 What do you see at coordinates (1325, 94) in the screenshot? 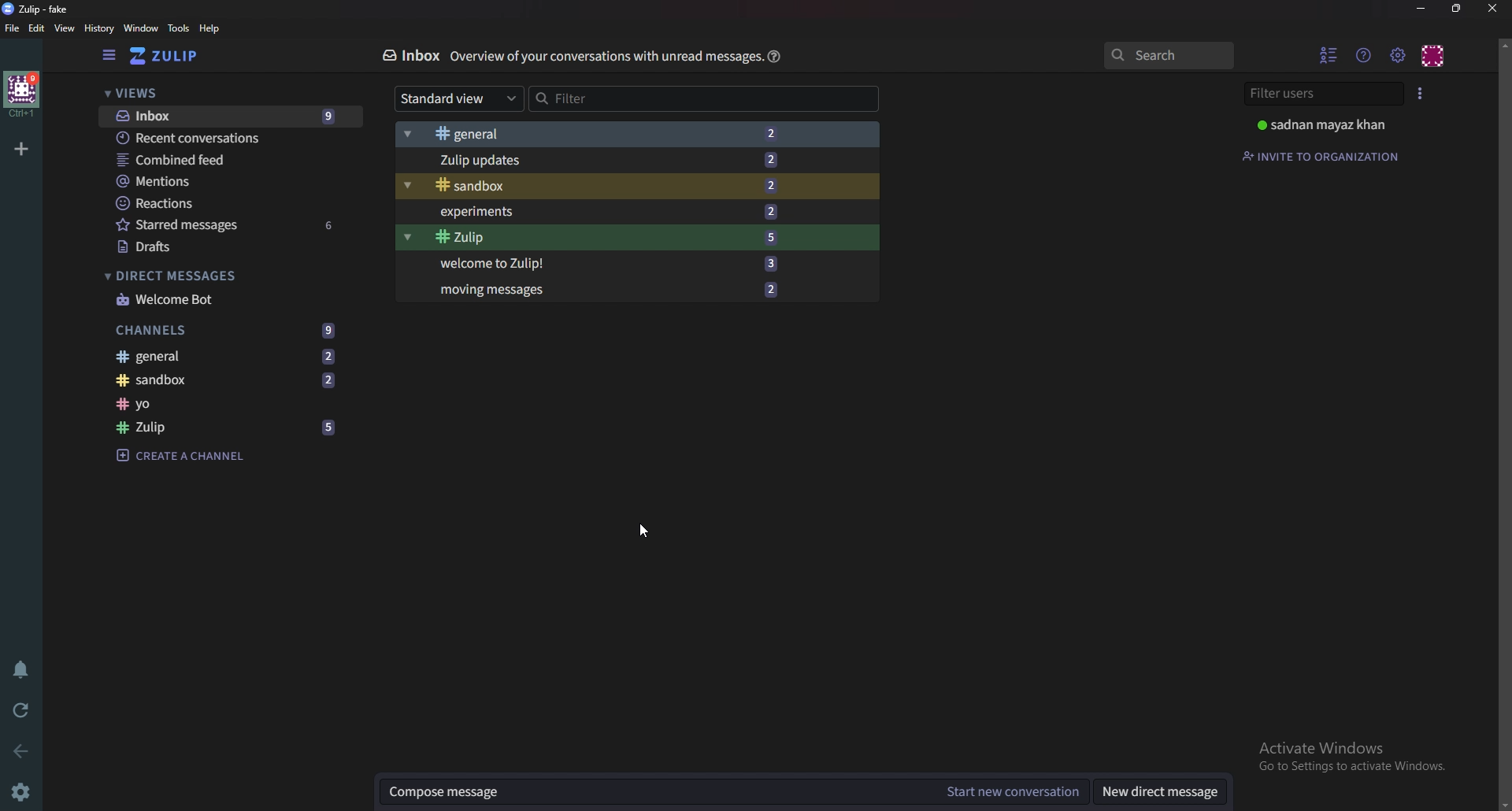
I see `Filter users` at bounding box center [1325, 94].